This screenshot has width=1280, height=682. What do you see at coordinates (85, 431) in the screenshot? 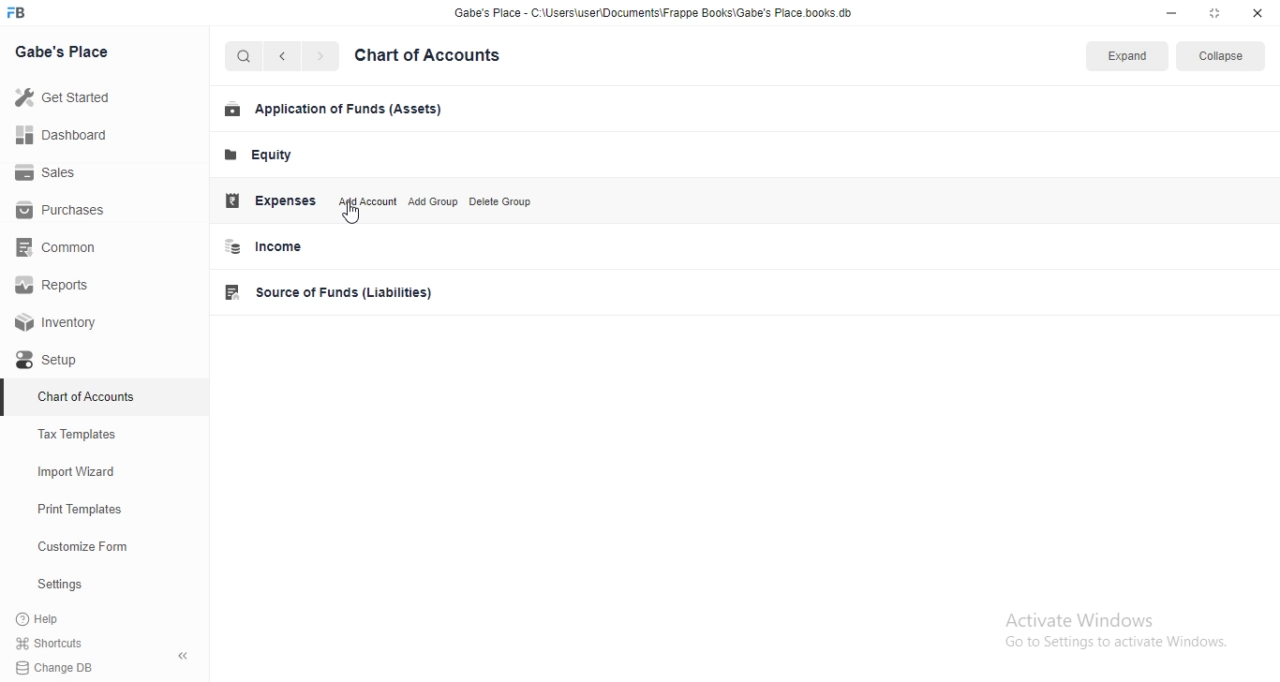
I see `Tax Templates` at bounding box center [85, 431].